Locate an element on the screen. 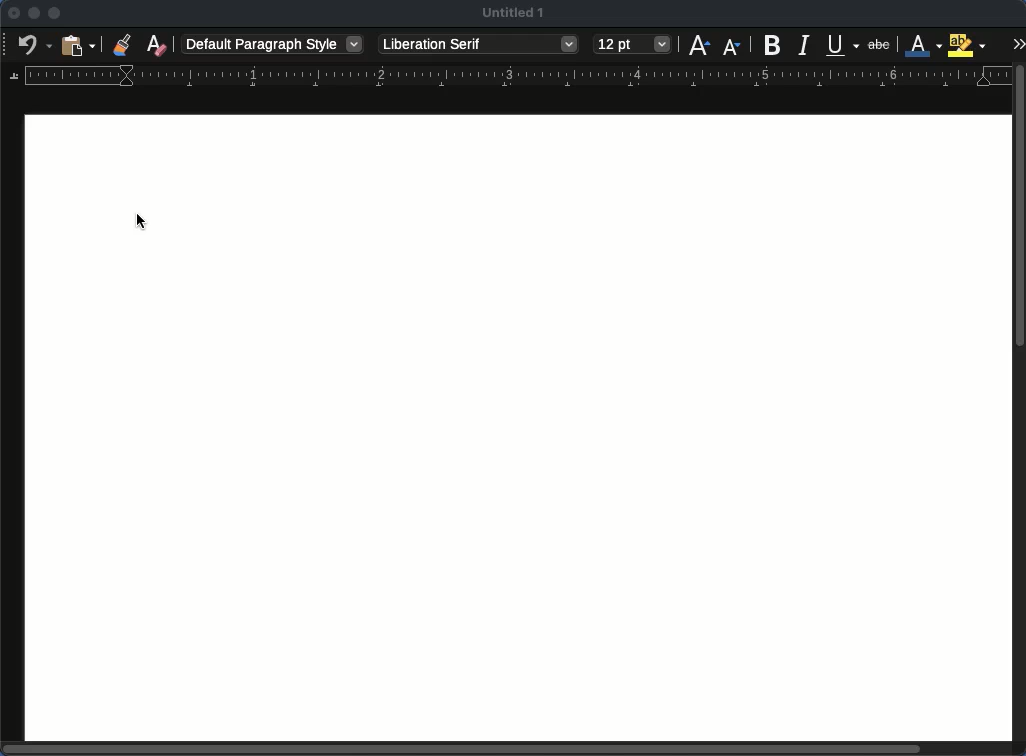 This screenshot has height=756, width=1026. expand is located at coordinates (1018, 45).